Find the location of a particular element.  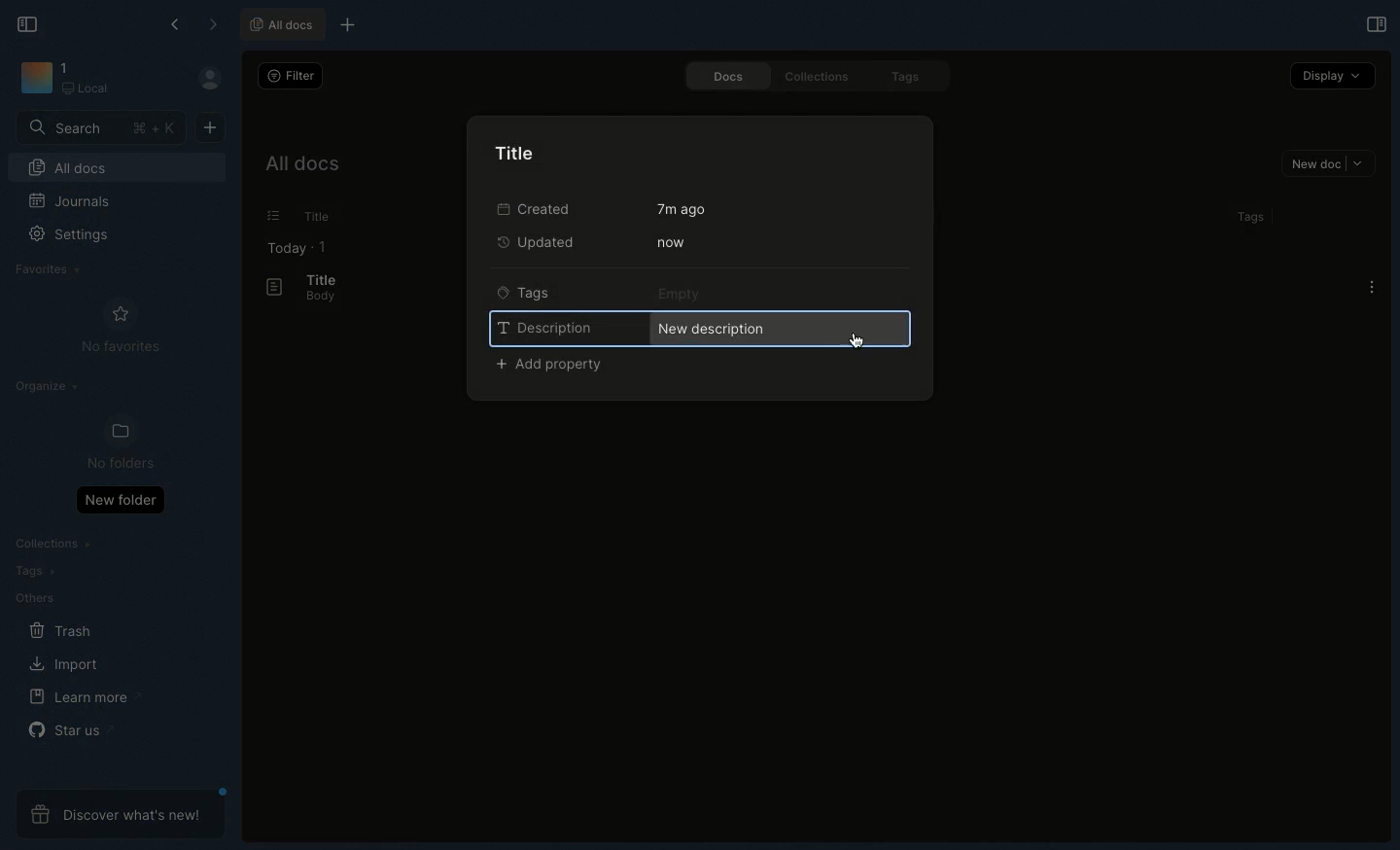

Workspace is located at coordinates (94, 80).